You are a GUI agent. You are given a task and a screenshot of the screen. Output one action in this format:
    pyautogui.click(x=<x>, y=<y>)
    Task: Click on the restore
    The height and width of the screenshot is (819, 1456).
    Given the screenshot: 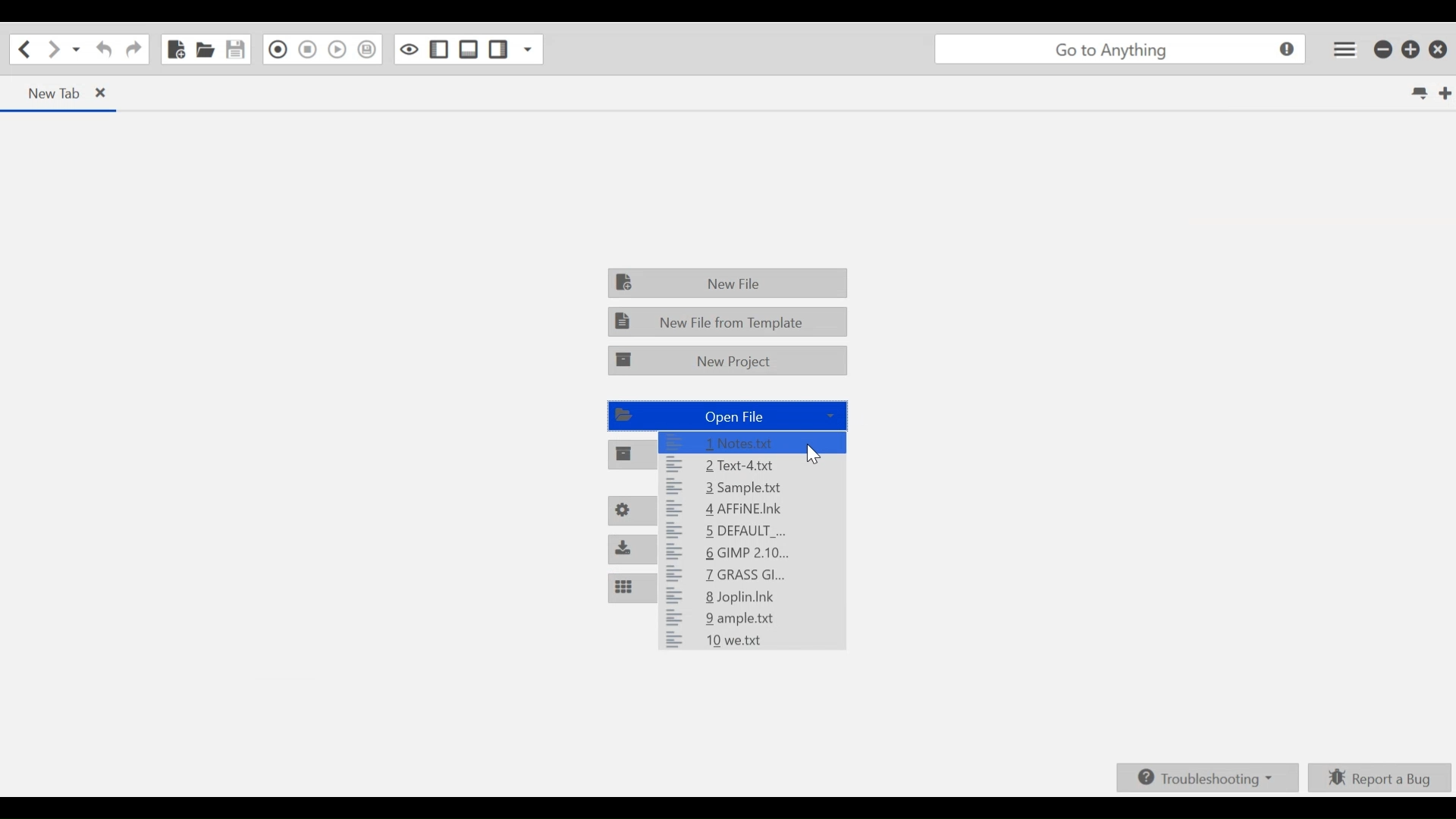 What is the action you would take?
    pyautogui.click(x=1408, y=50)
    